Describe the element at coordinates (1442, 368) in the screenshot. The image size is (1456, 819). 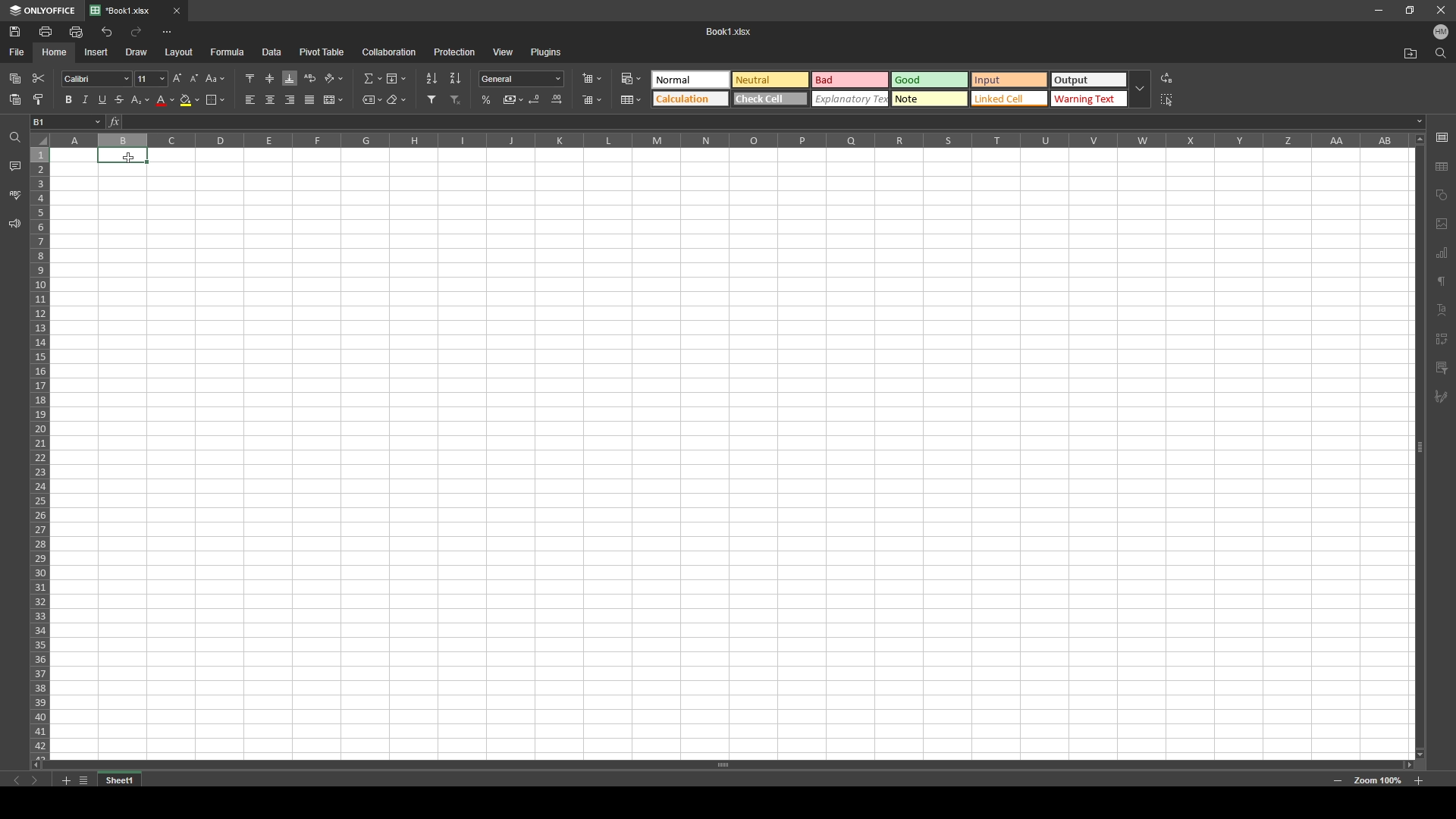
I see `filter` at that location.